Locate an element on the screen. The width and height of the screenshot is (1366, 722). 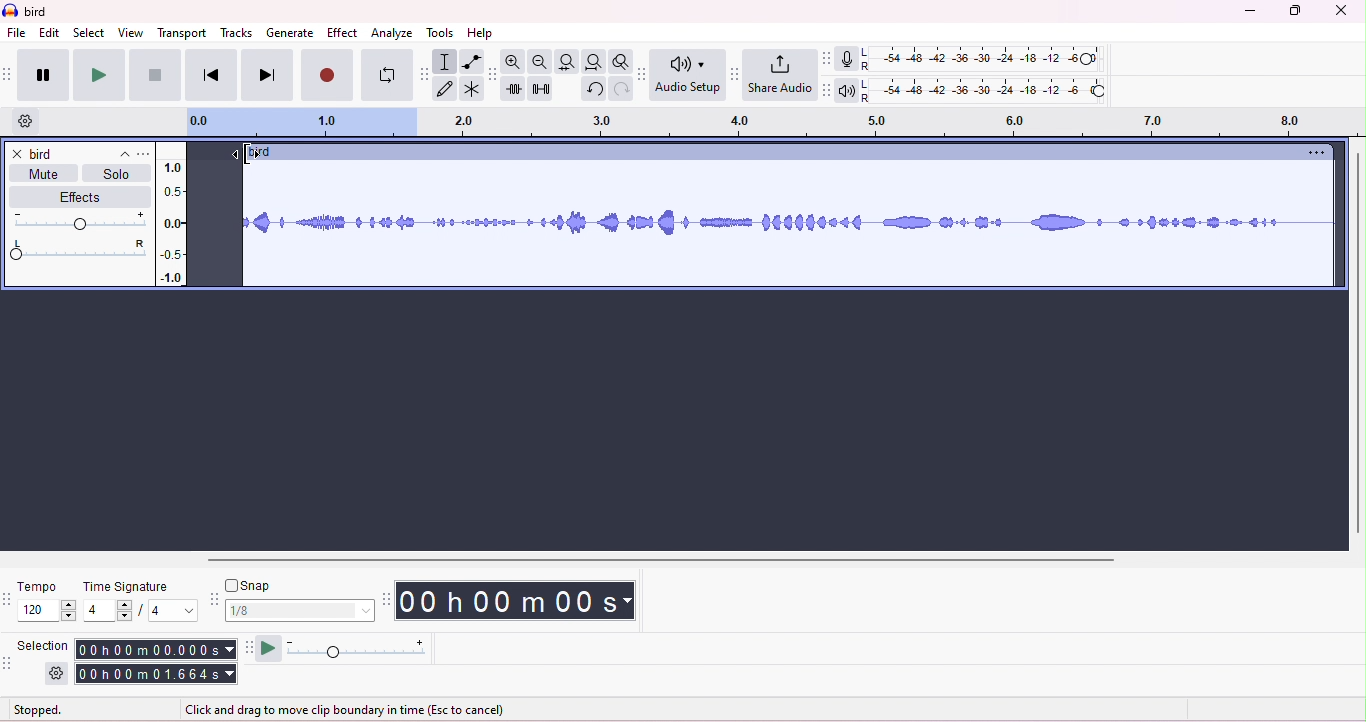
transport tool is located at coordinates (9, 75).